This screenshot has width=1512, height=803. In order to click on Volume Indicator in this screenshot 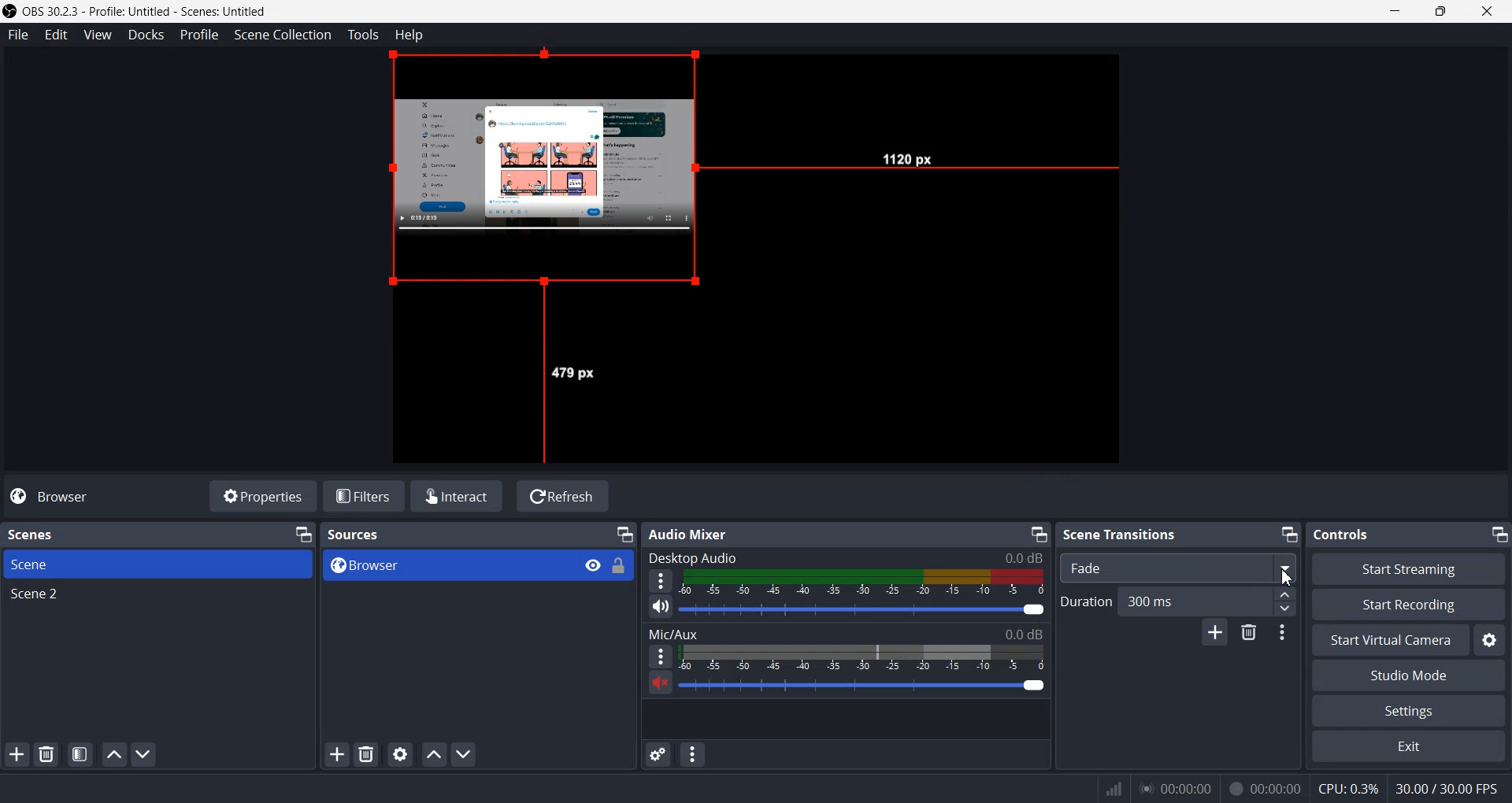, I will do `click(865, 583)`.